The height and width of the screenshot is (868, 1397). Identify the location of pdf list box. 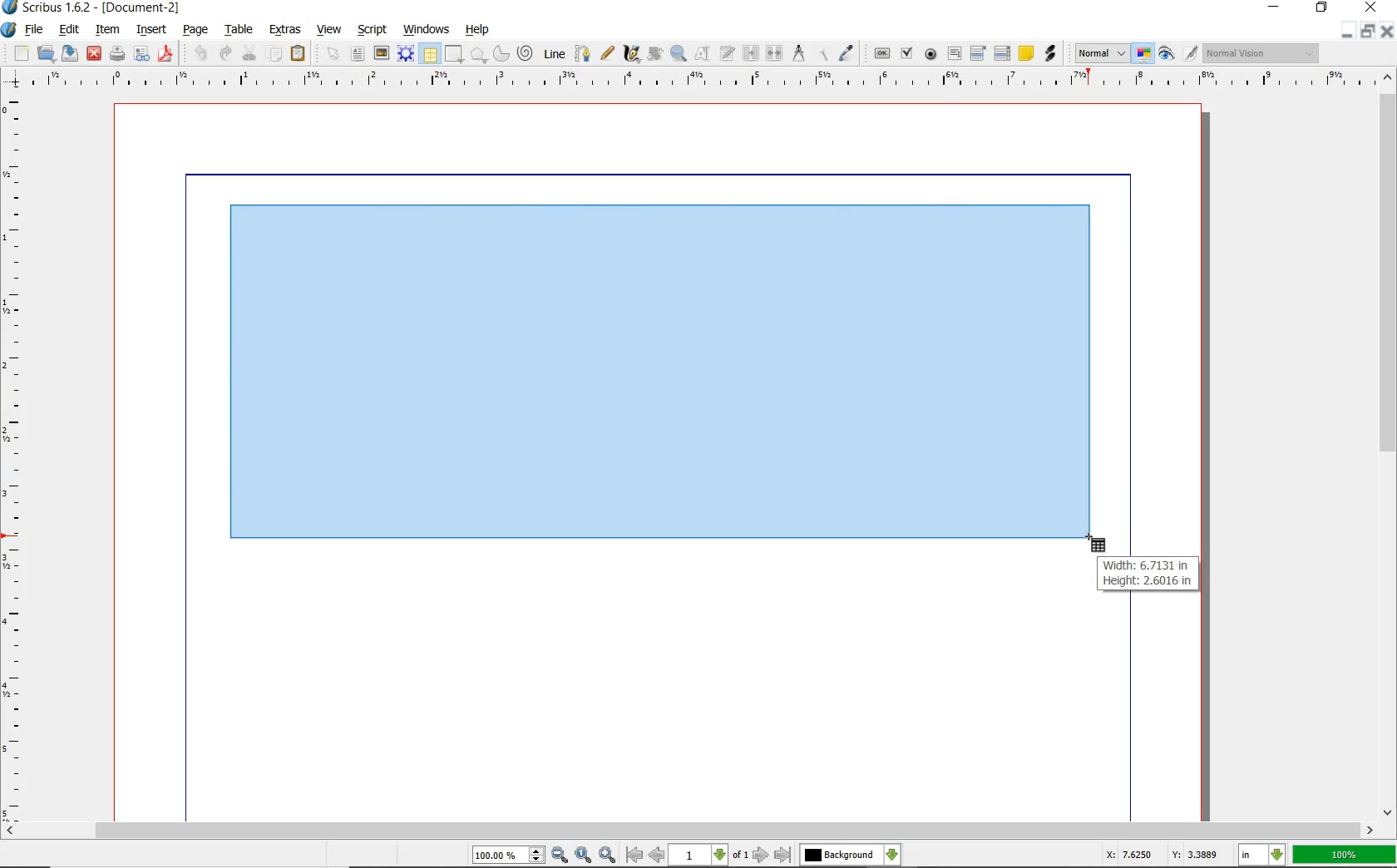
(1003, 52).